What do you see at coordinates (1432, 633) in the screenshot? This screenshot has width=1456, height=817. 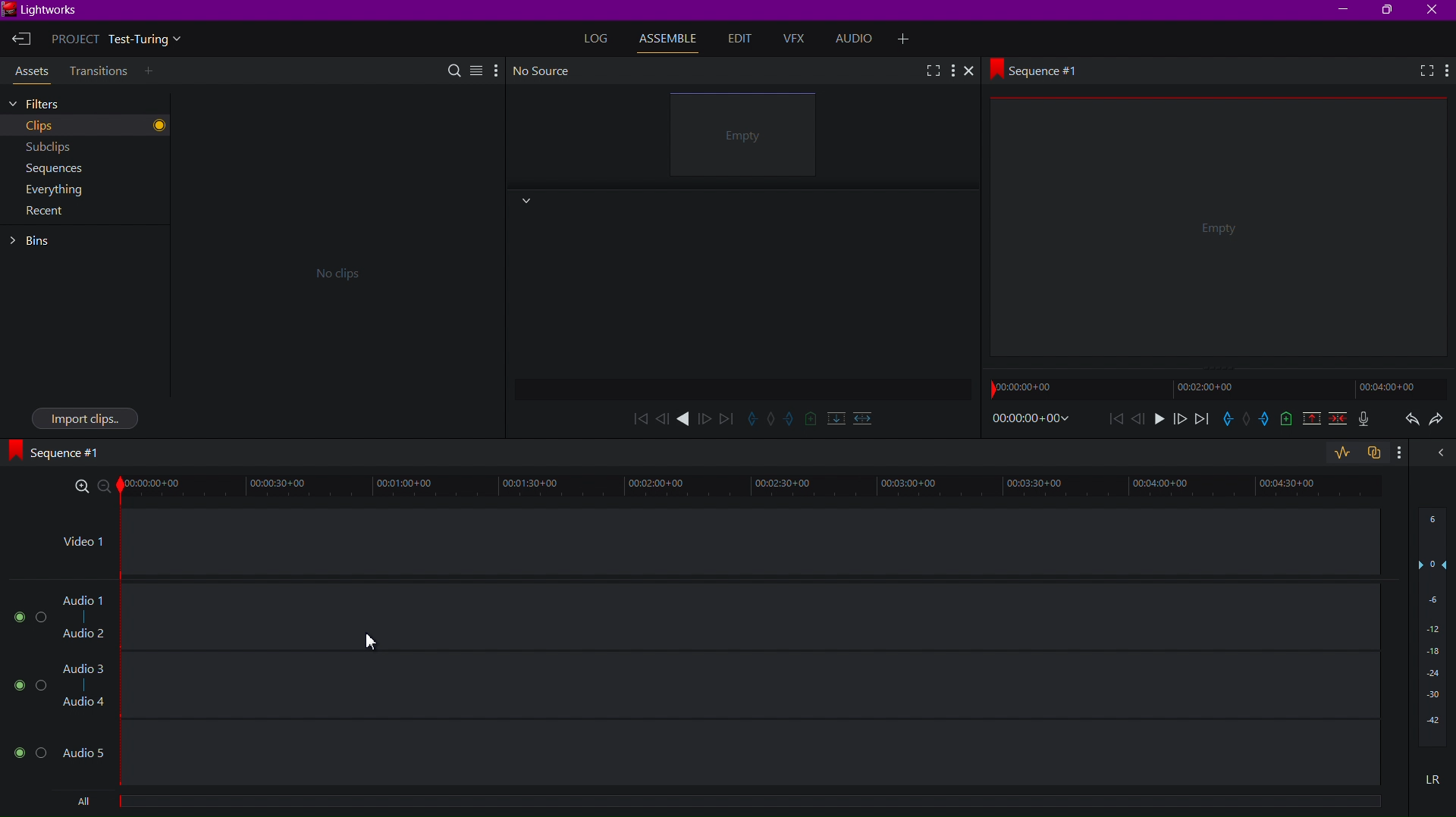 I see `Audio Level` at bounding box center [1432, 633].